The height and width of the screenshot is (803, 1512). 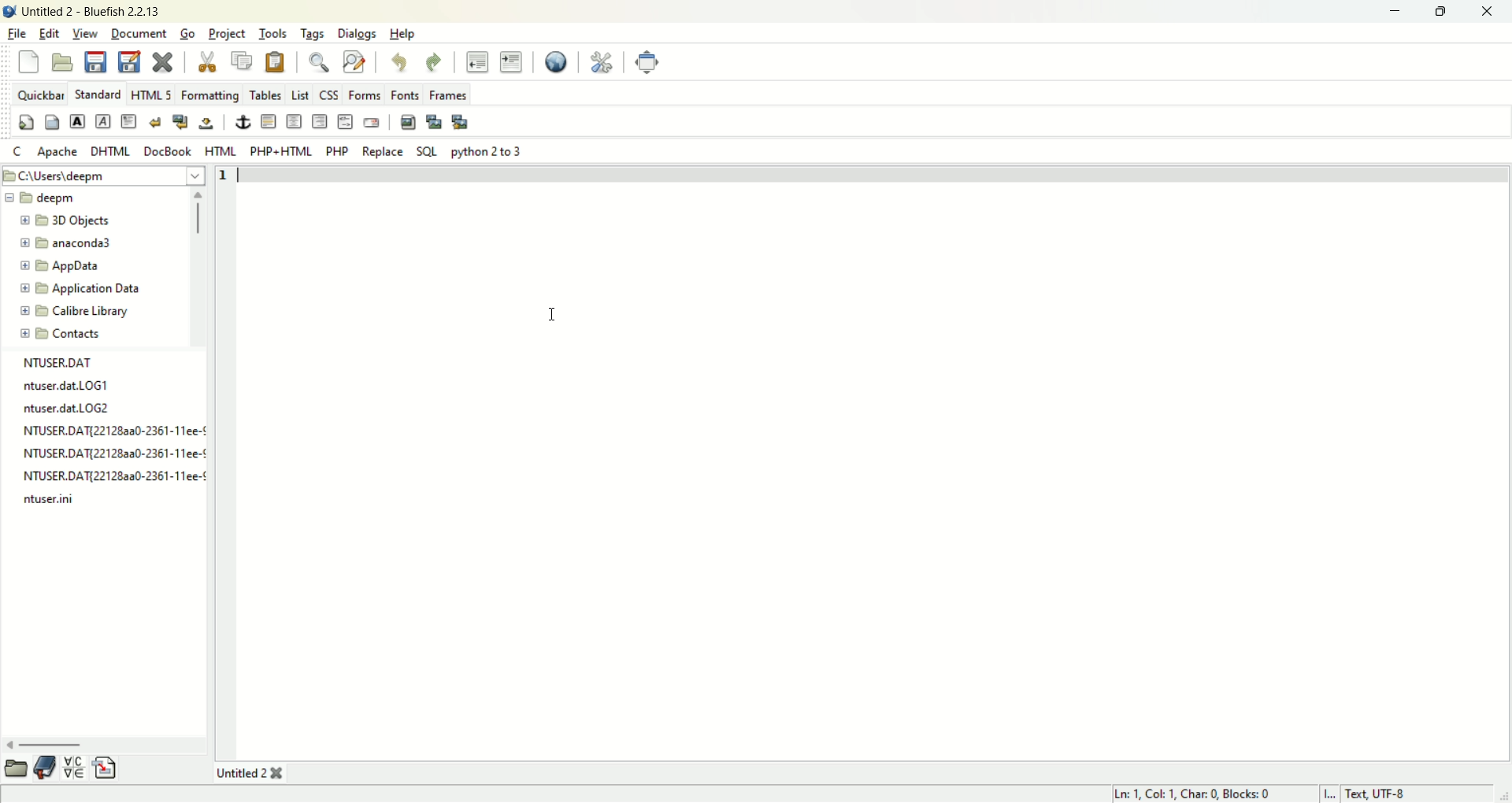 What do you see at coordinates (477, 60) in the screenshot?
I see `unindent` at bounding box center [477, 60].